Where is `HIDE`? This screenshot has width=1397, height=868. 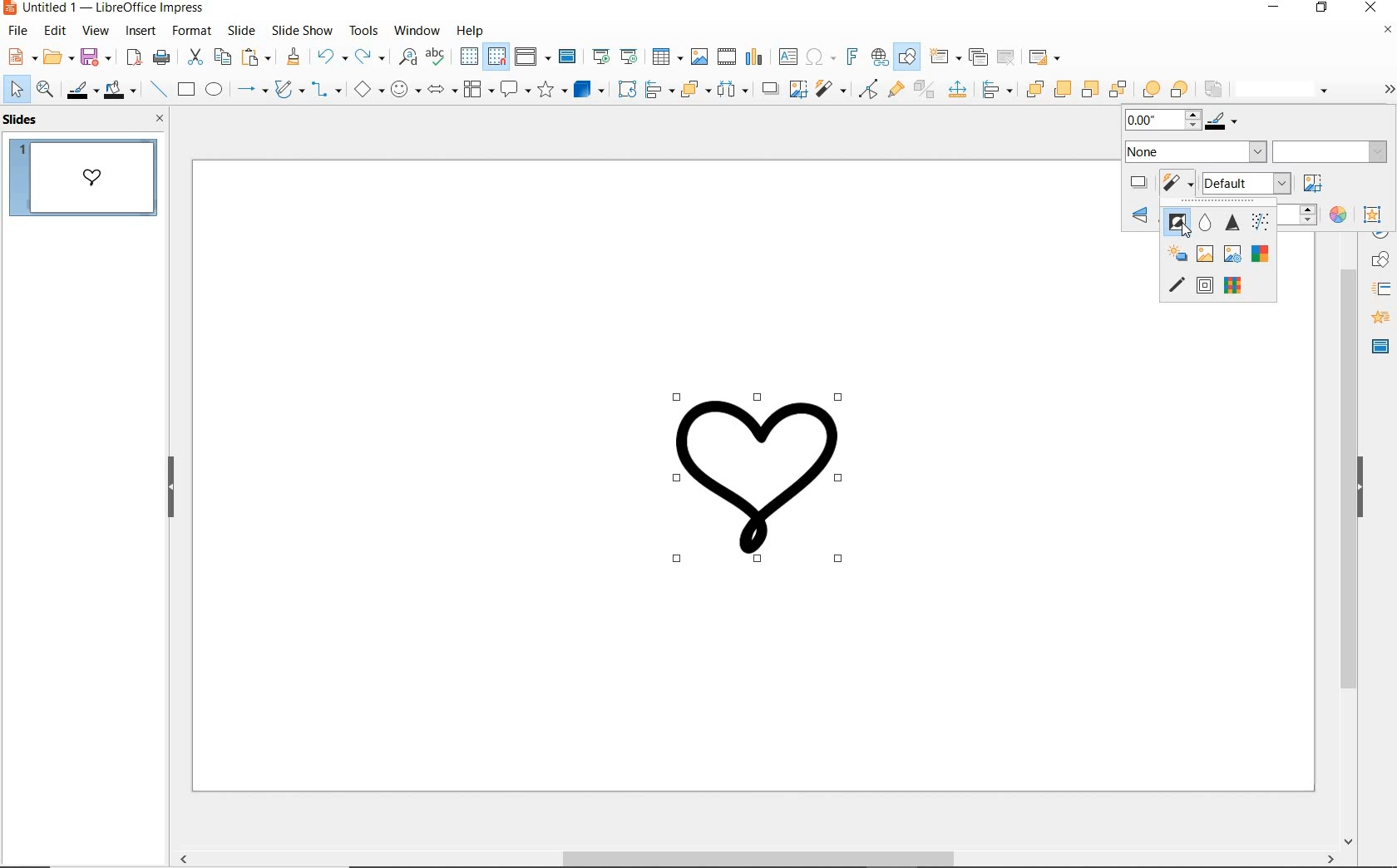 HIDE is located at coordinates (1361, 489).